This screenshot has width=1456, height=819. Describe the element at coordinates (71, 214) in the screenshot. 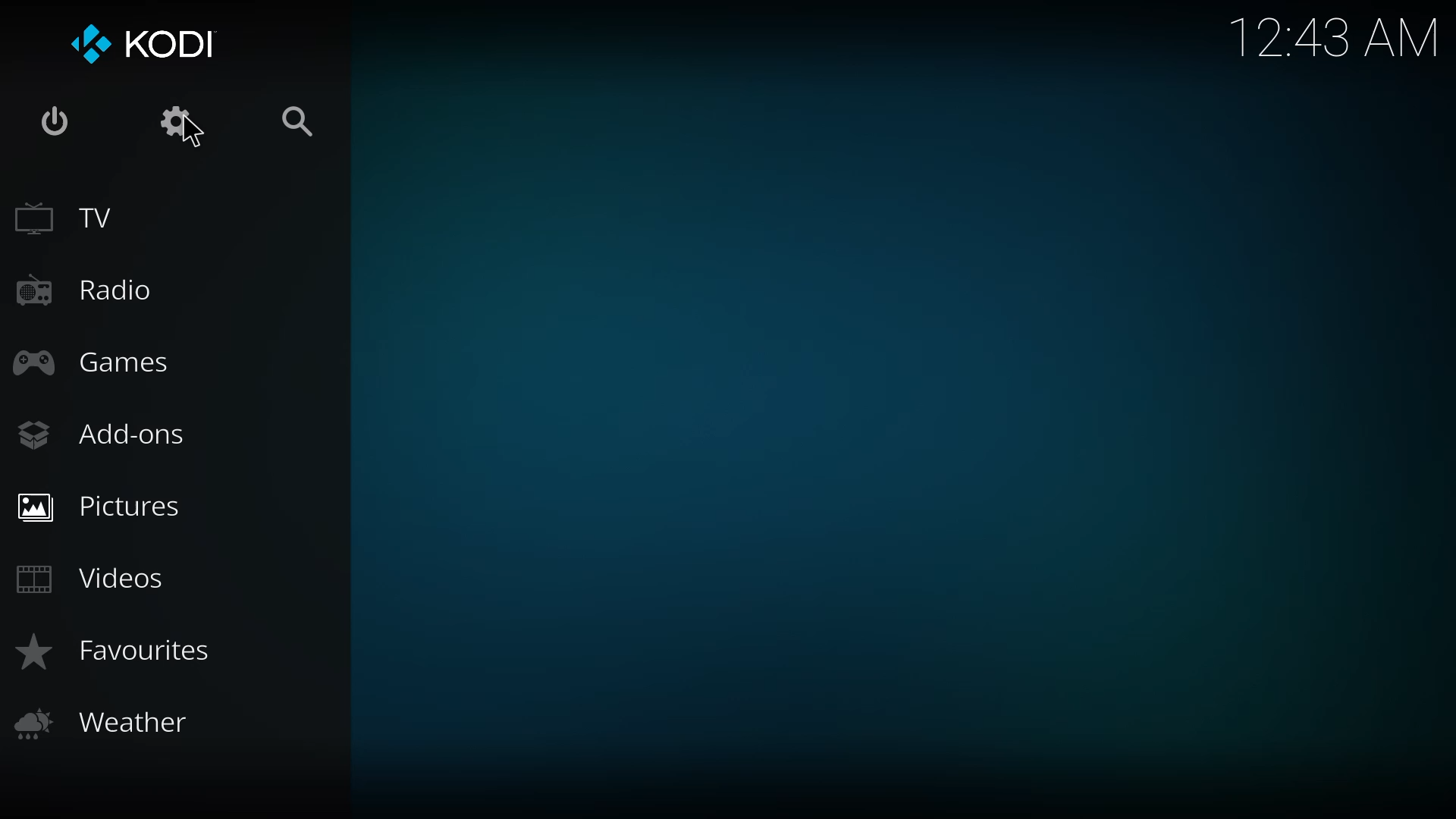

I see `tv` at that location.